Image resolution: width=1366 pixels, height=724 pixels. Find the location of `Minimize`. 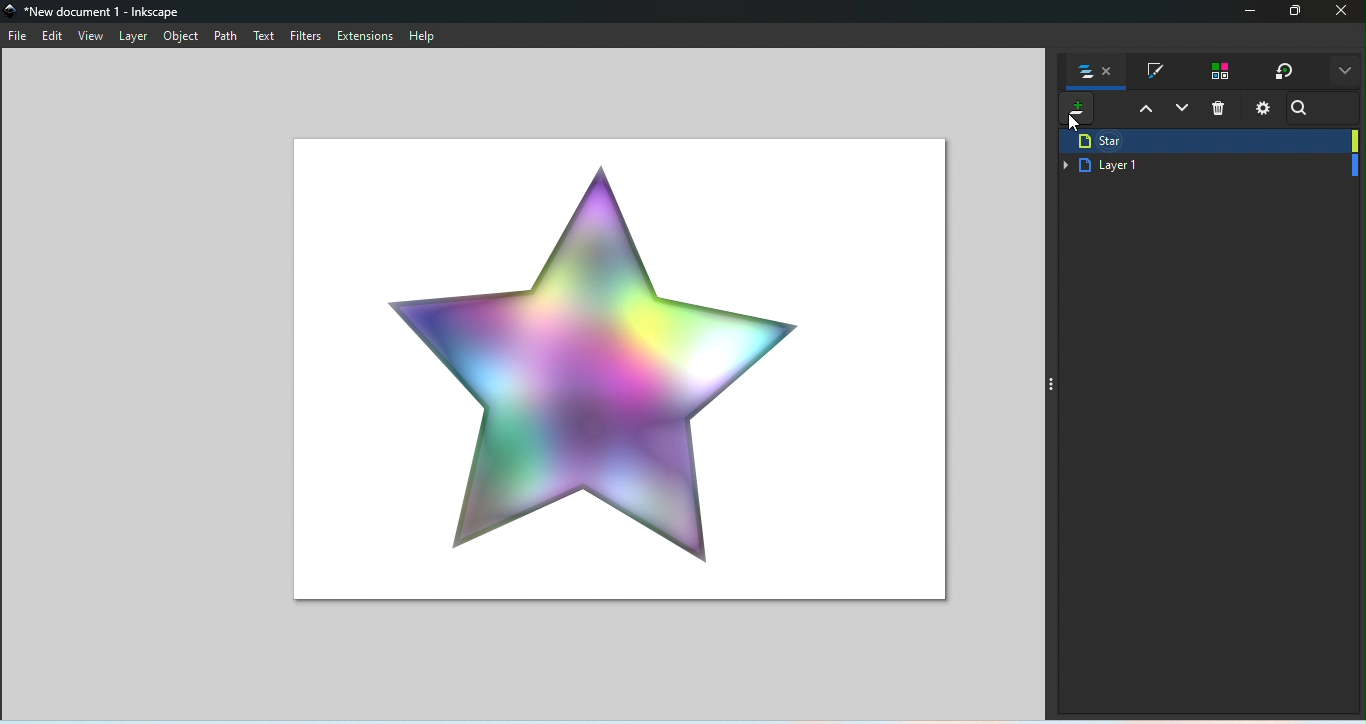

Minimize is located at coordinates (1247, 13).